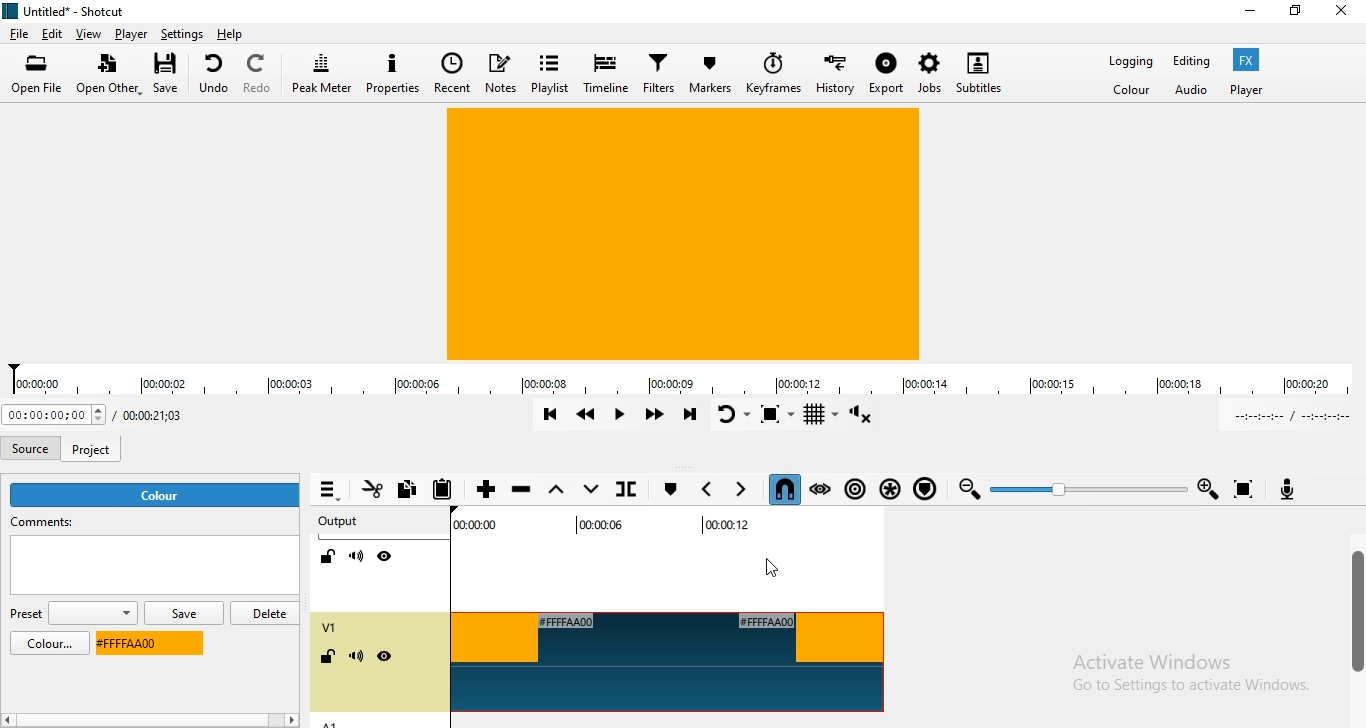  I want to click on Markers, so click(710, 75).